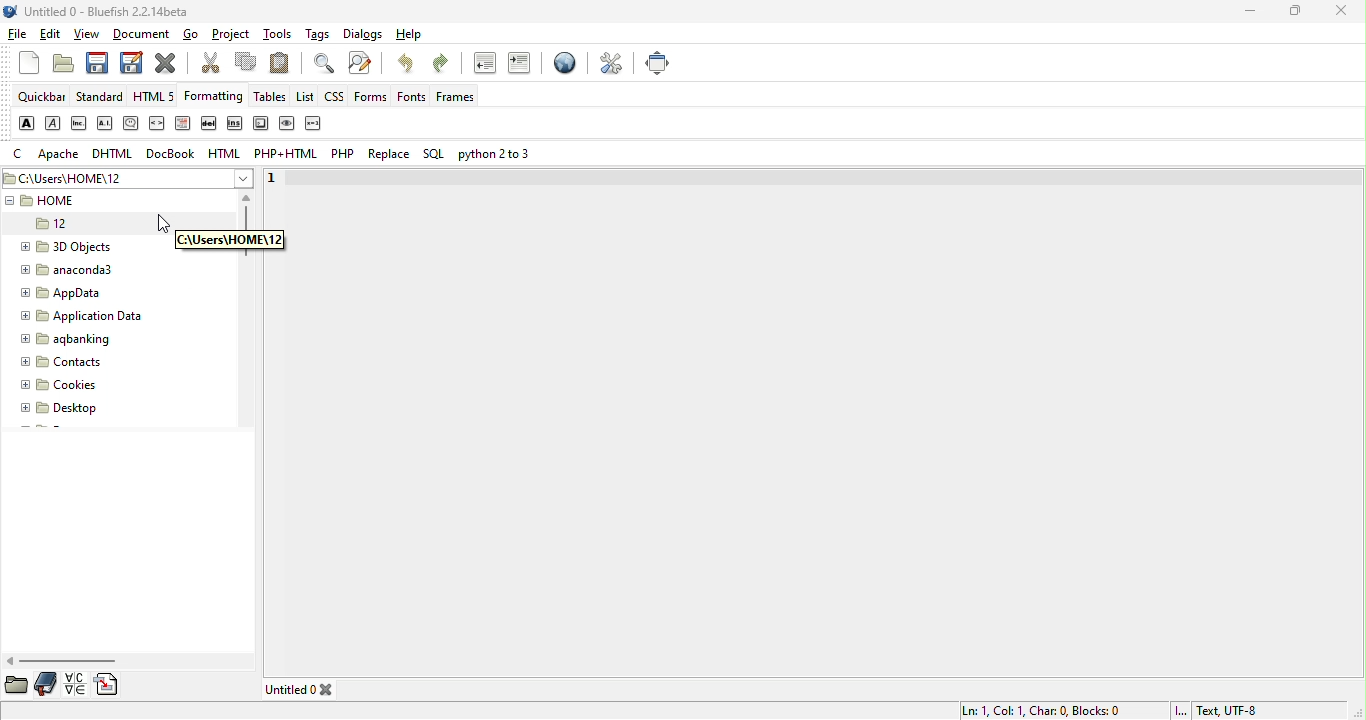 The image size is (1366, 720). What do you see at coordinates (170, 65) in the screenshot?
I see `close current file` at bounding box center [170, 65].